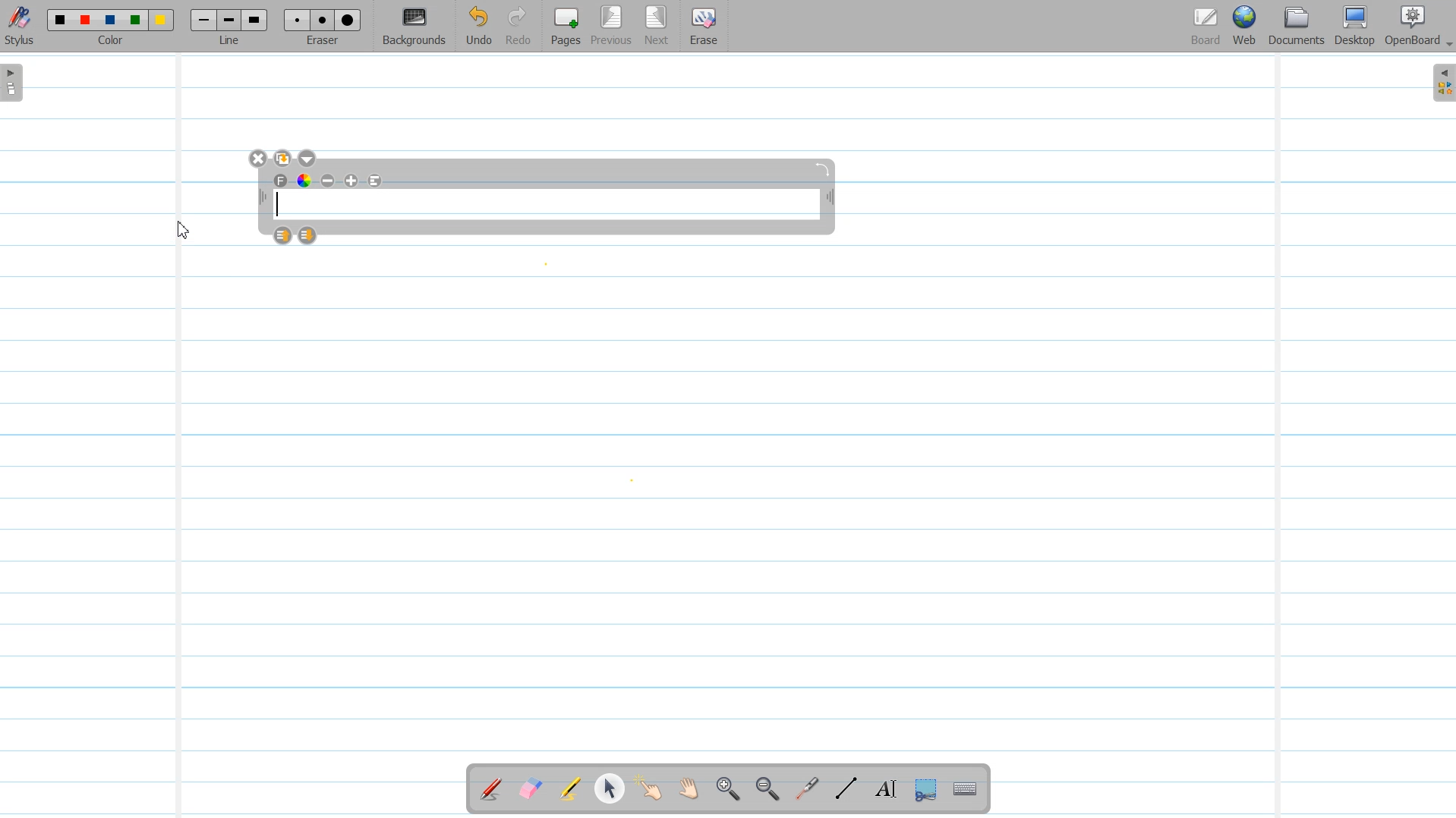  What do you see at coordinates (803, 790) in the screenshot?
I see `Virtual Laser Pointer` at bounding box center [803, 790].